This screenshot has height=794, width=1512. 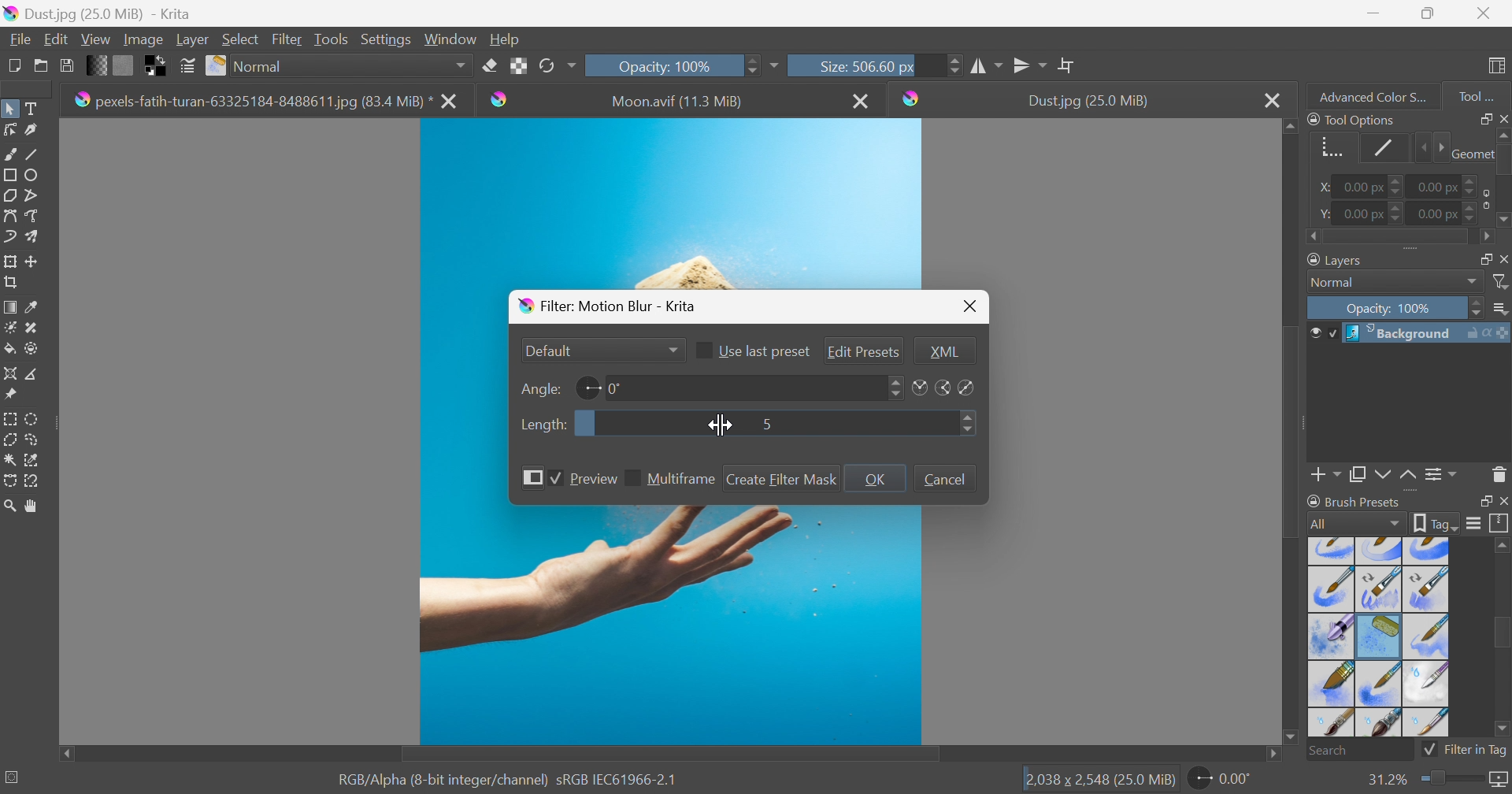 I want to click on RGB Alpha (8-bit integer/channel) sRGB IEC61966-2.1, so click(x=508, y=778).